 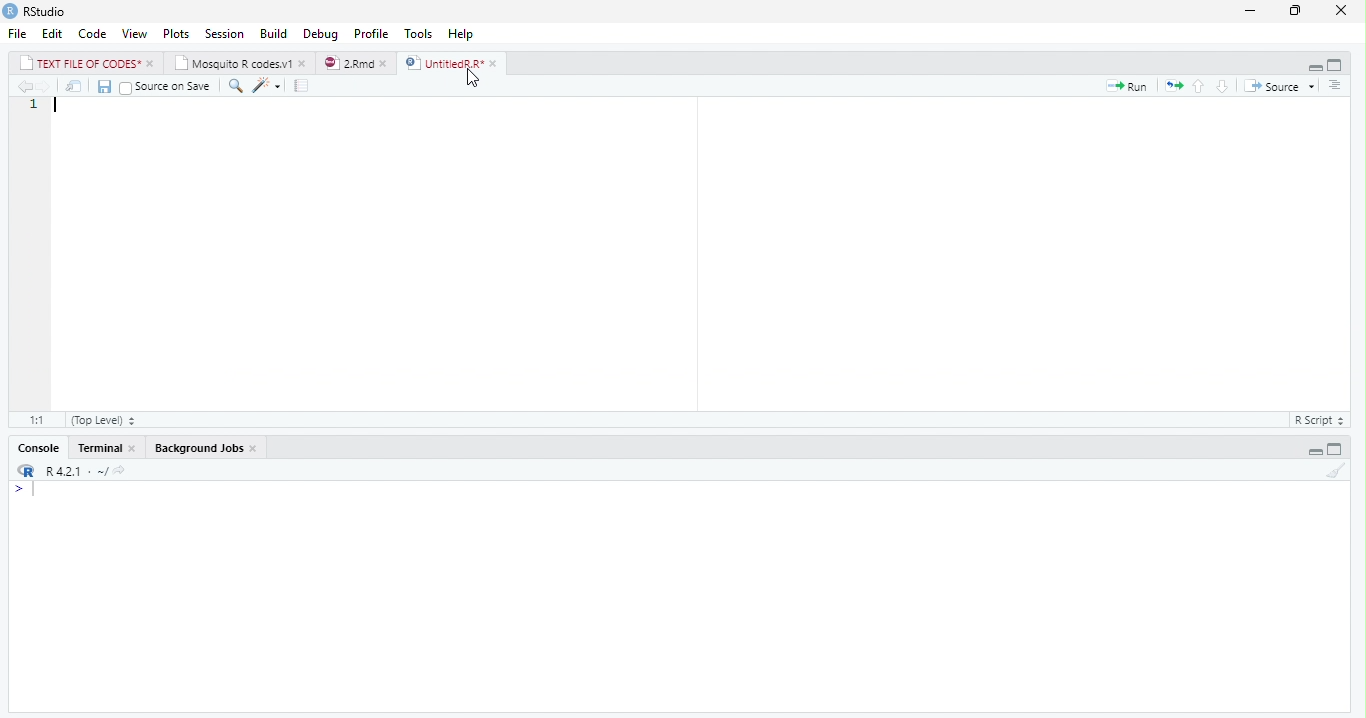 What do you see at coordinates (18, 33) in the screenshot?
I see `file` at bounding box center [18, 33].